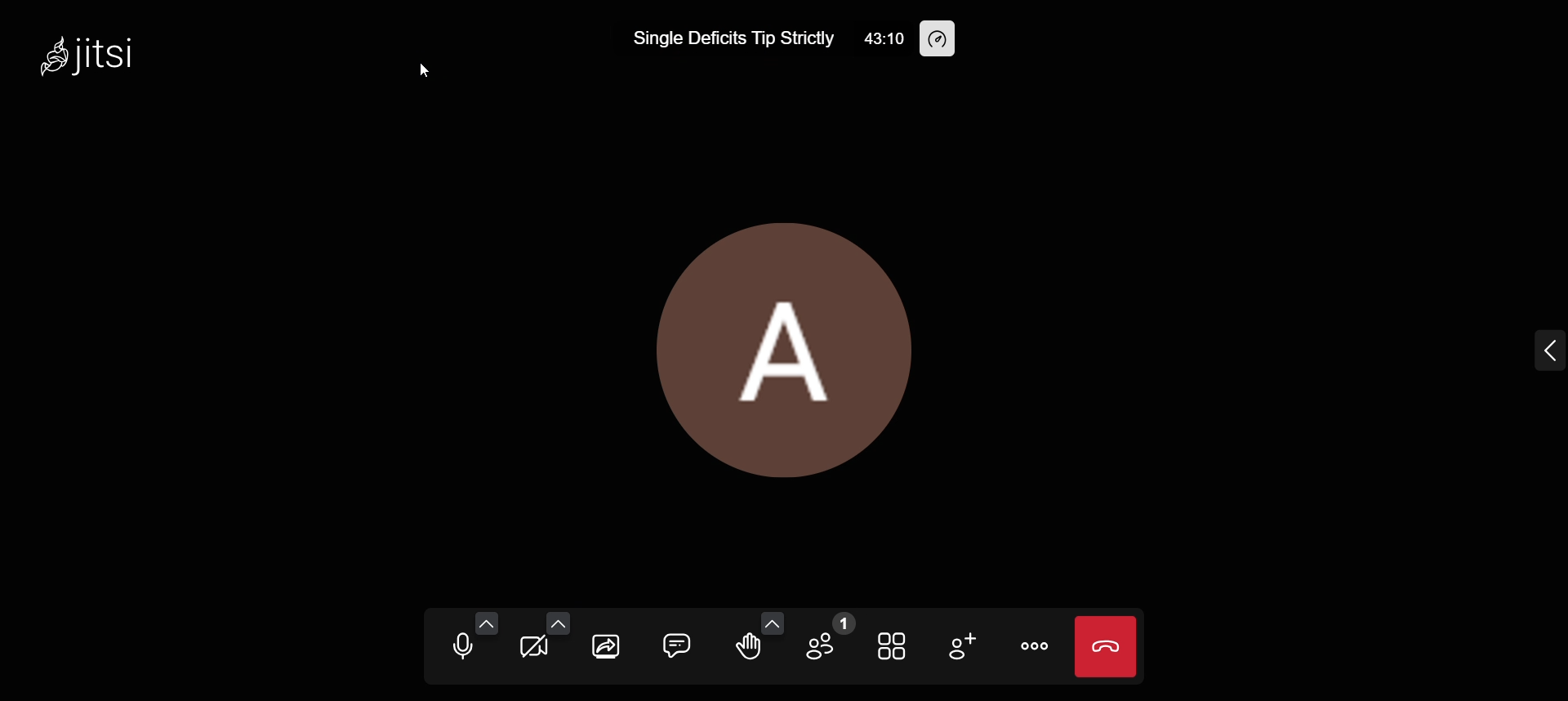  I want to click on toggle tile view, so click(892, 643).